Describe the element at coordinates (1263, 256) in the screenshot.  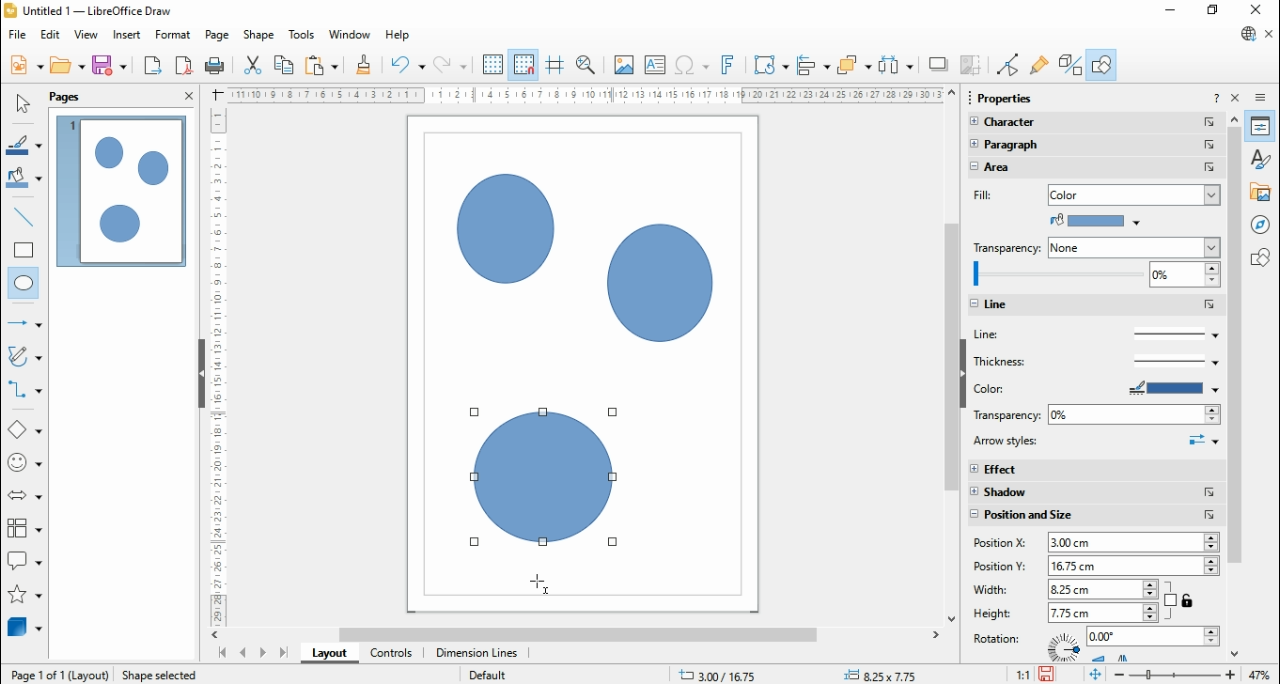
I see `shapes` at that location.